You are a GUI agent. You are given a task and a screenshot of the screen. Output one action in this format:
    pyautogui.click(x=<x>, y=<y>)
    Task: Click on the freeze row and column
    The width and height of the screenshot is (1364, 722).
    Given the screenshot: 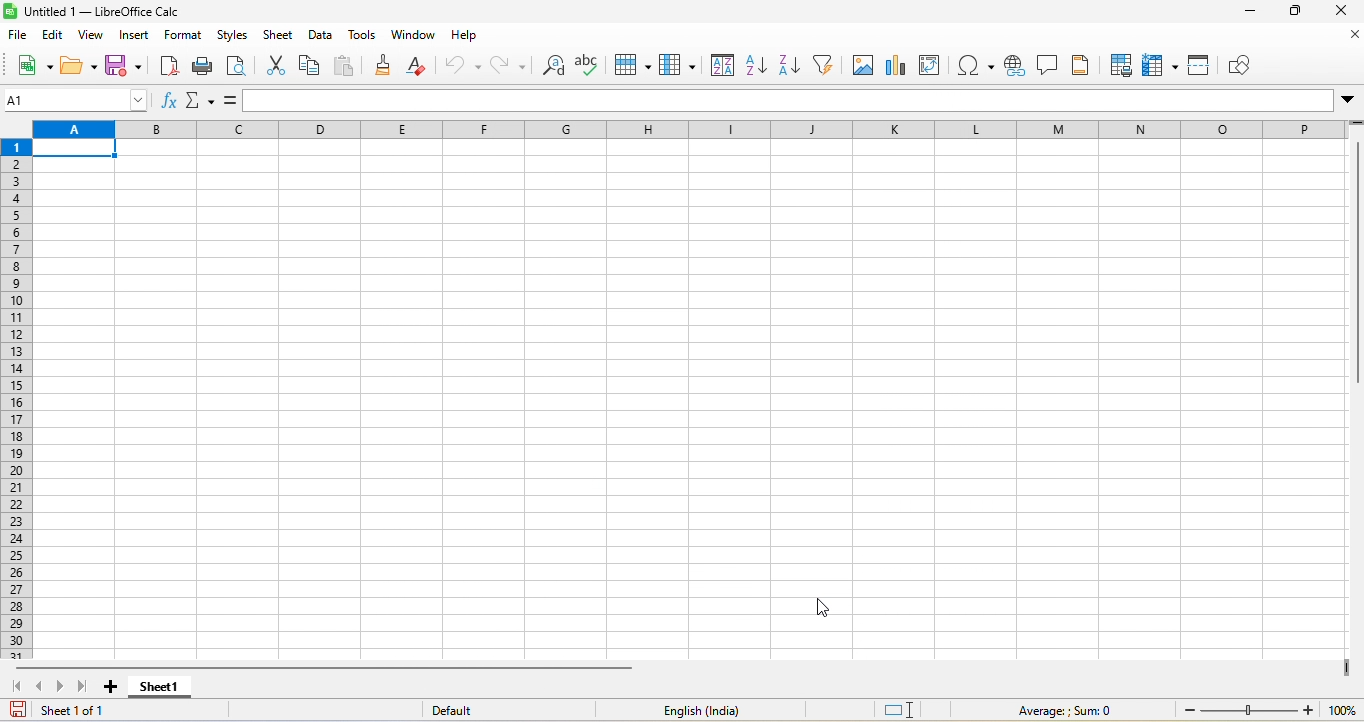 What is the action you would take?
    pyautogui.click(x=1158, y=63)
    